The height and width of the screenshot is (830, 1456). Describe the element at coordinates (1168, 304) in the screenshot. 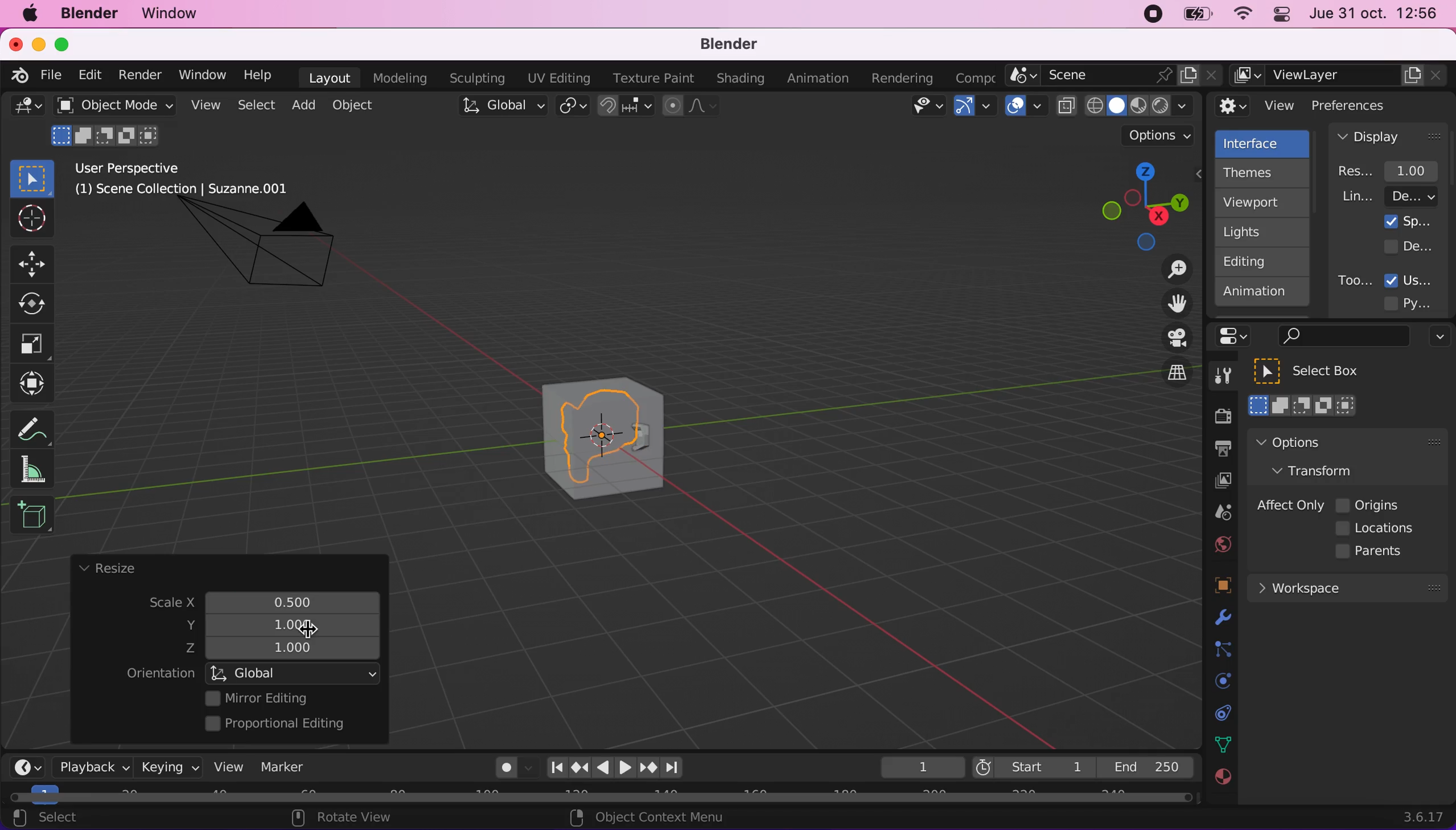

I see `move the view` at that location.